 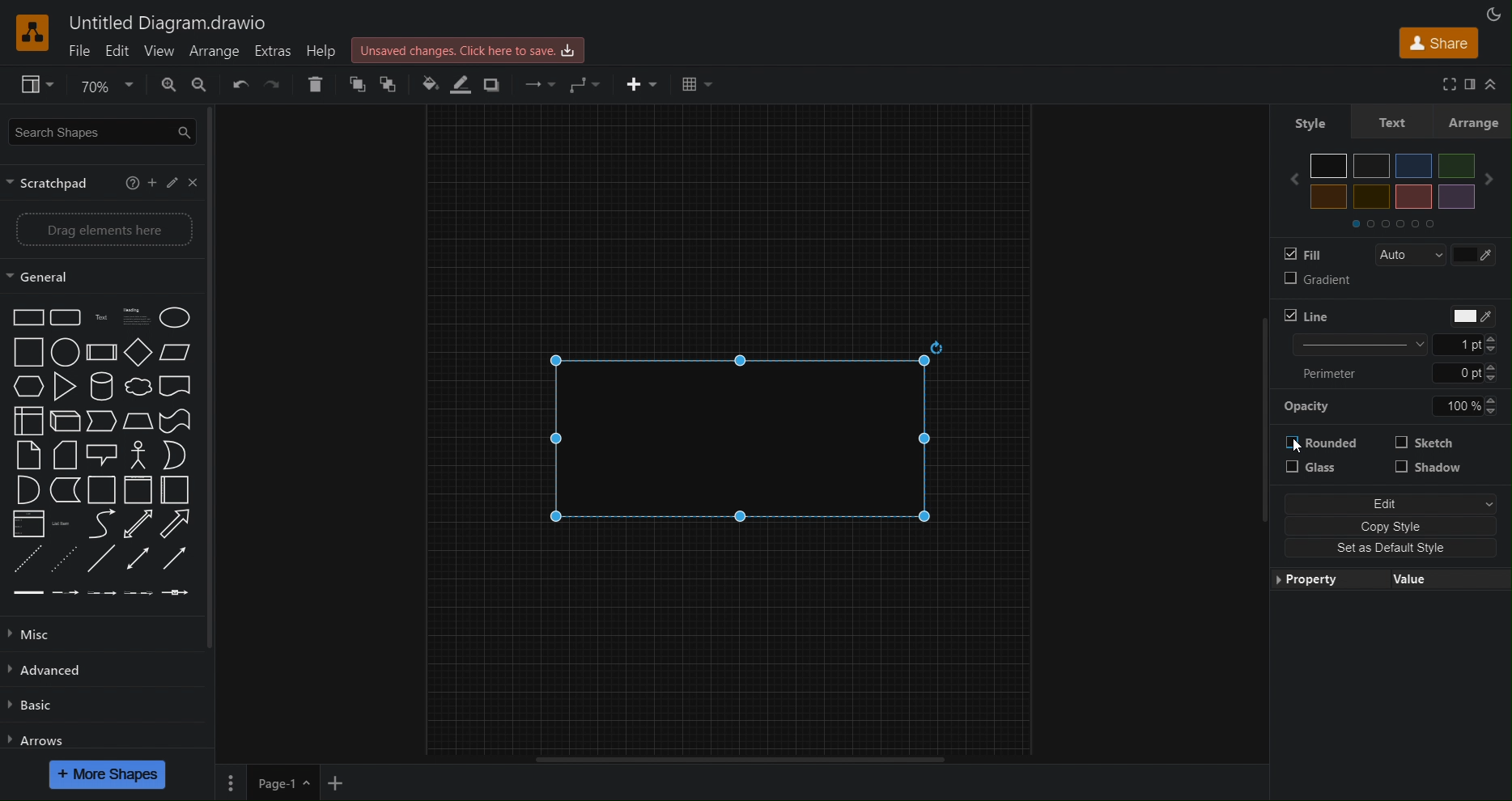 I want to click on Opacity, so click(x=1395, y=408).